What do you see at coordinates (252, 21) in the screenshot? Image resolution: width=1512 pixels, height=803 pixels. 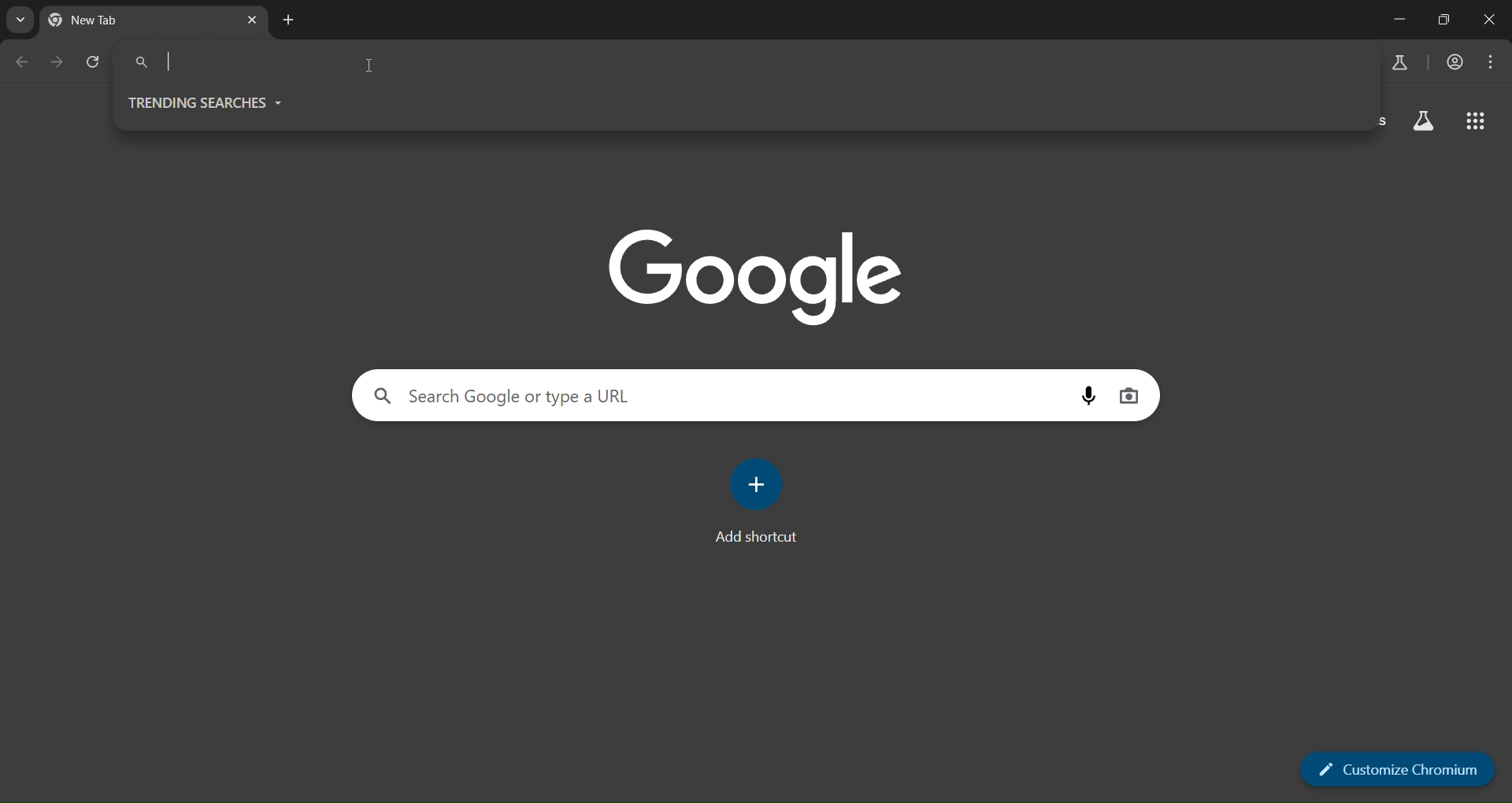 I see `close tab` at bounding box center [252, 21].